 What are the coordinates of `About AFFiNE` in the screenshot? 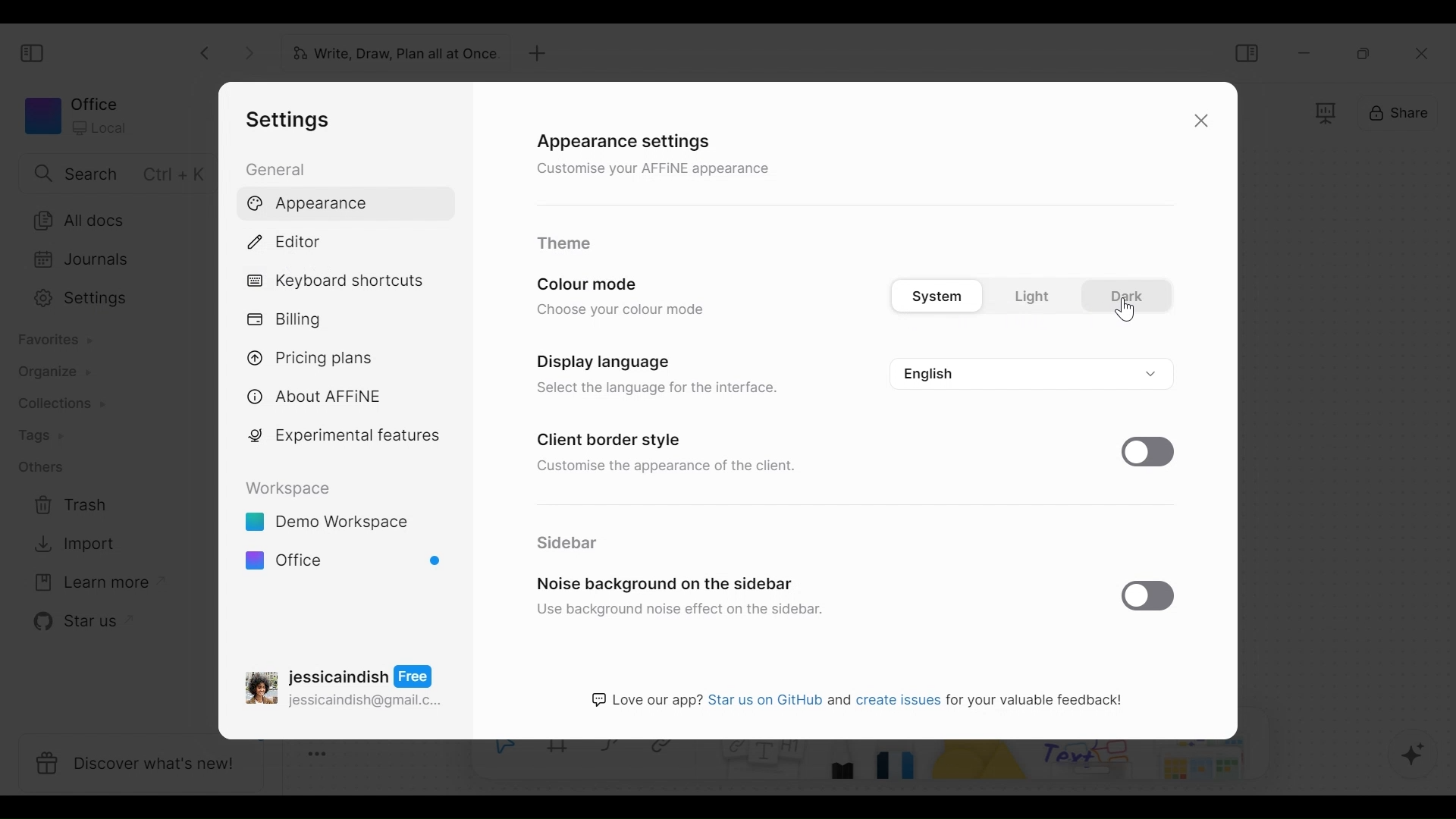 It's located at (312, 397).